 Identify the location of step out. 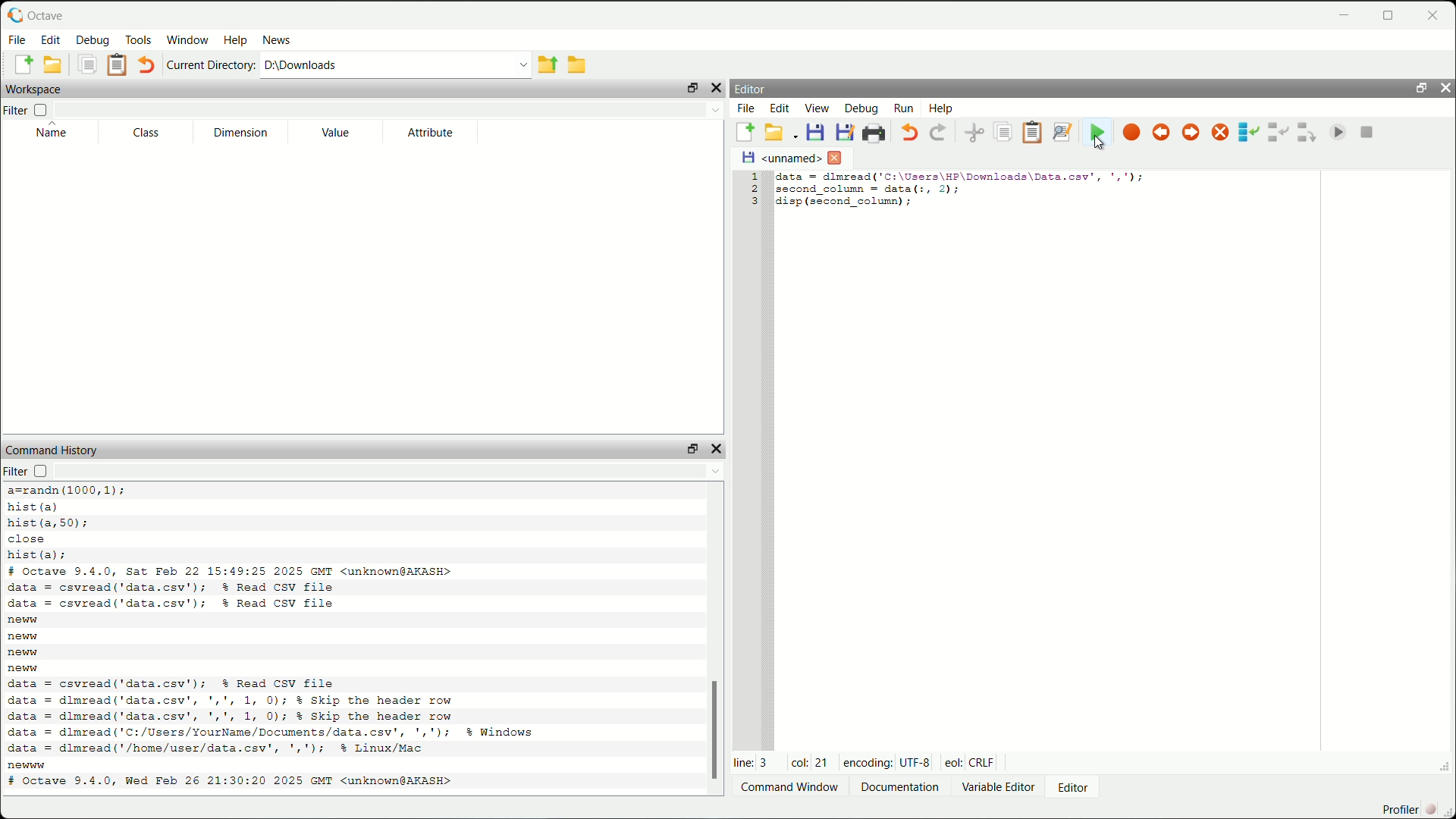
(1305, 134).